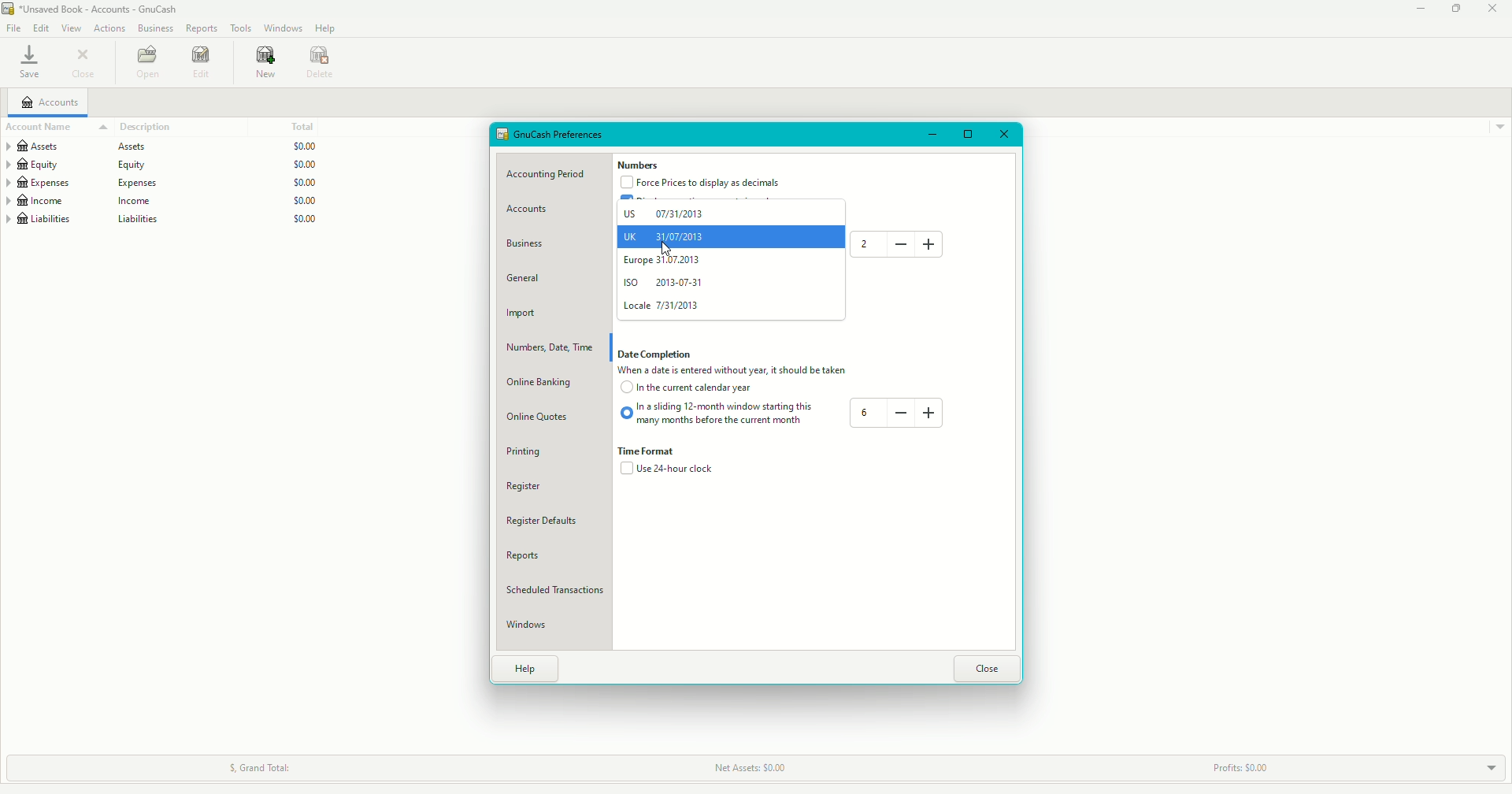  I want to click on Open, so click(149, 62).